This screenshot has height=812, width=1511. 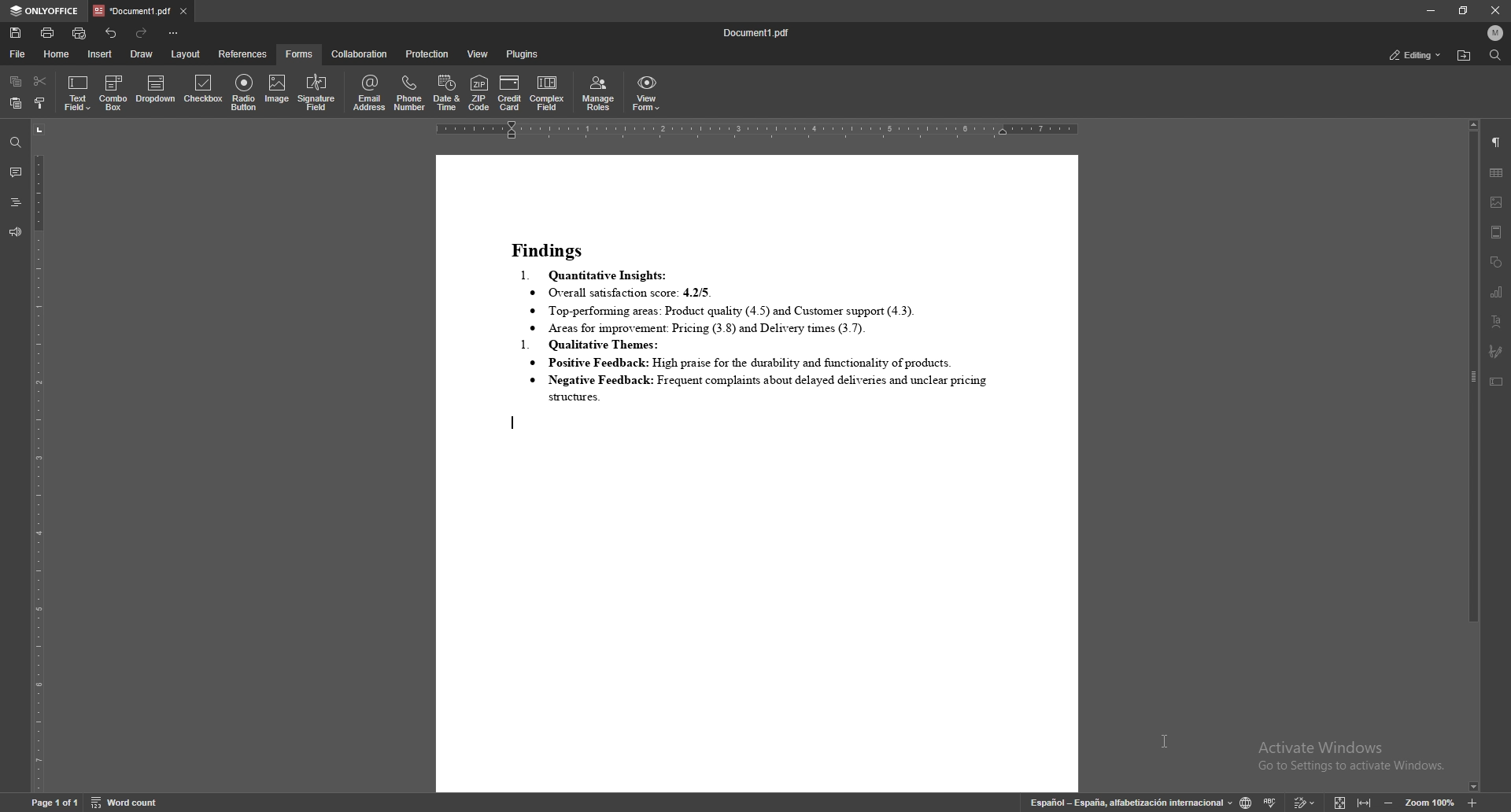 What do you see at coordinates (78, 93) in the screenshot?
I see `text field` at bounding box center [78, 93].